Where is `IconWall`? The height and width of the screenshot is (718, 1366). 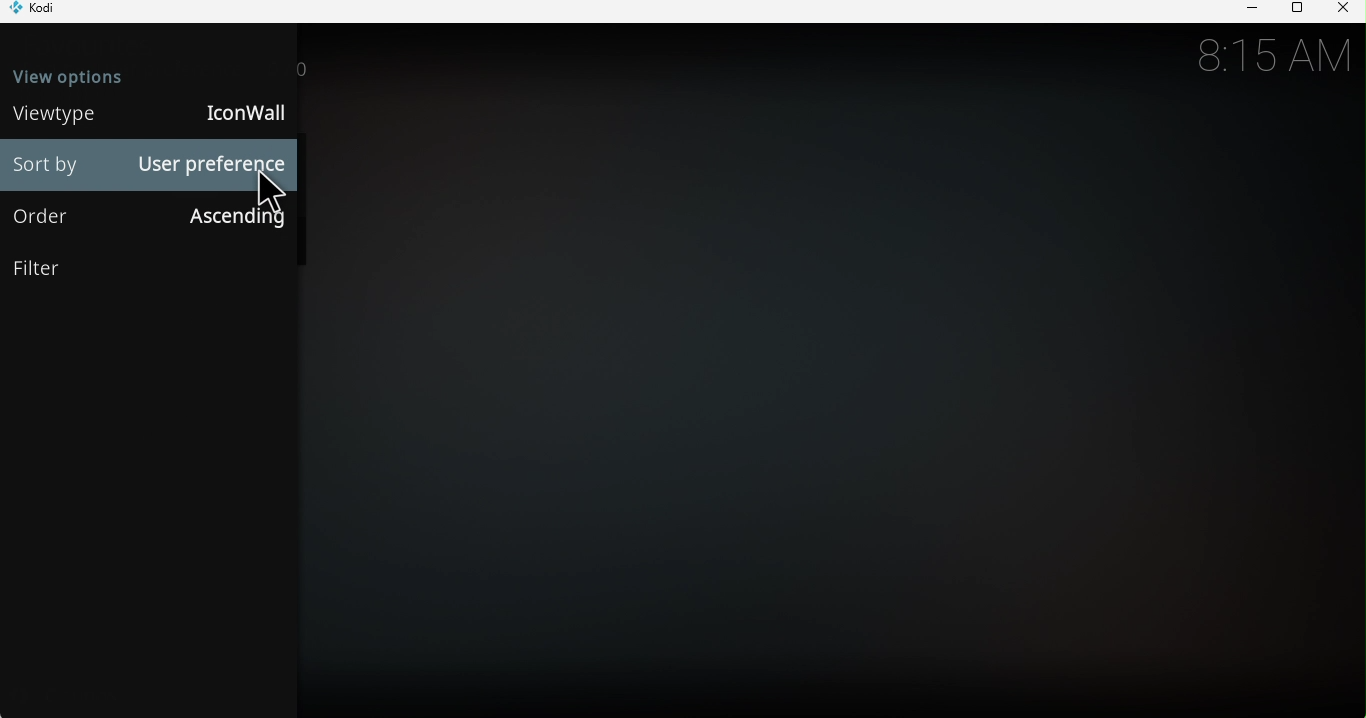 IconWall is located at coordinates (249, 113).